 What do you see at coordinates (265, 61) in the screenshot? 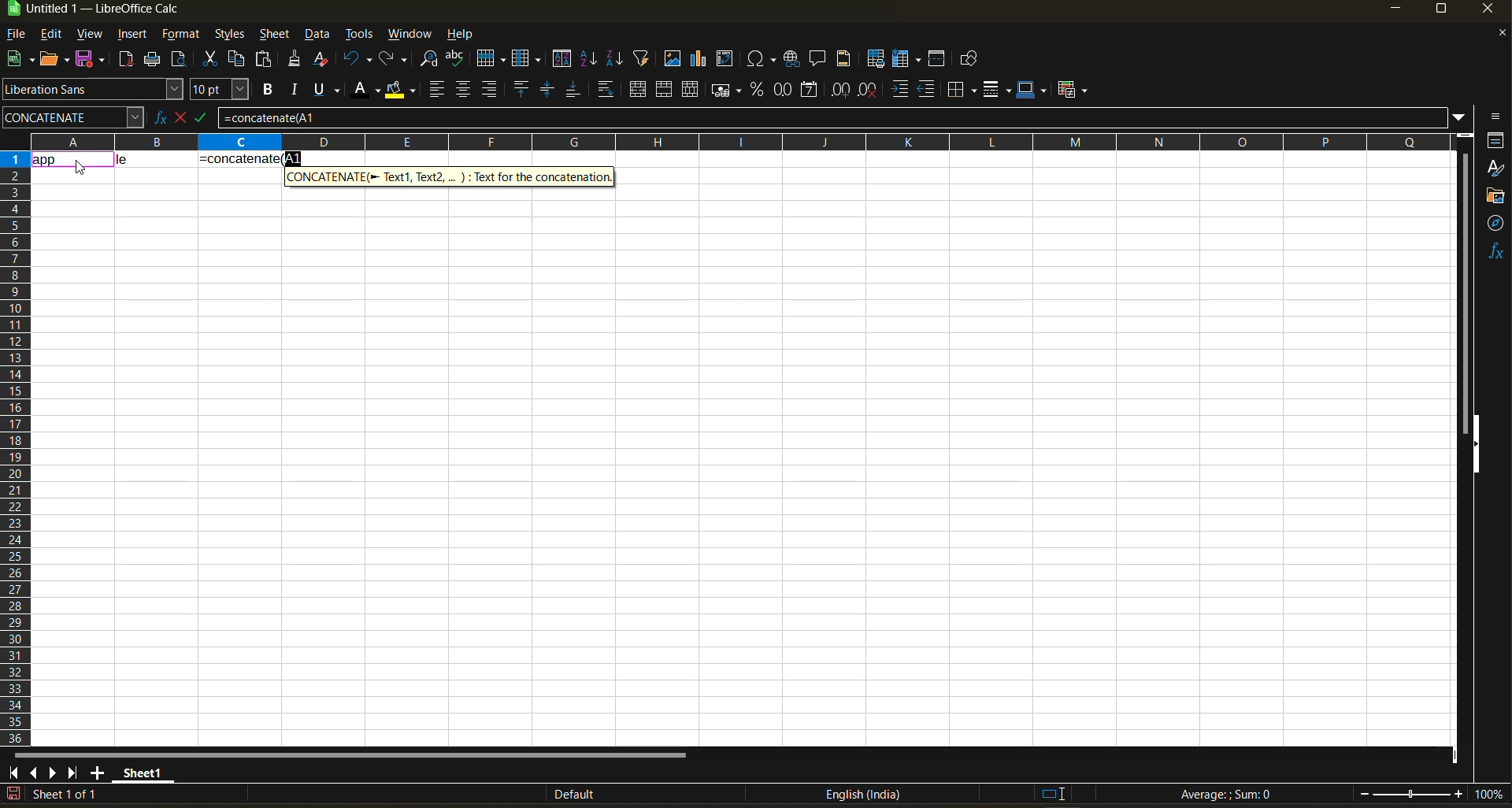
I see `paste` at bounding box center [265, 61].